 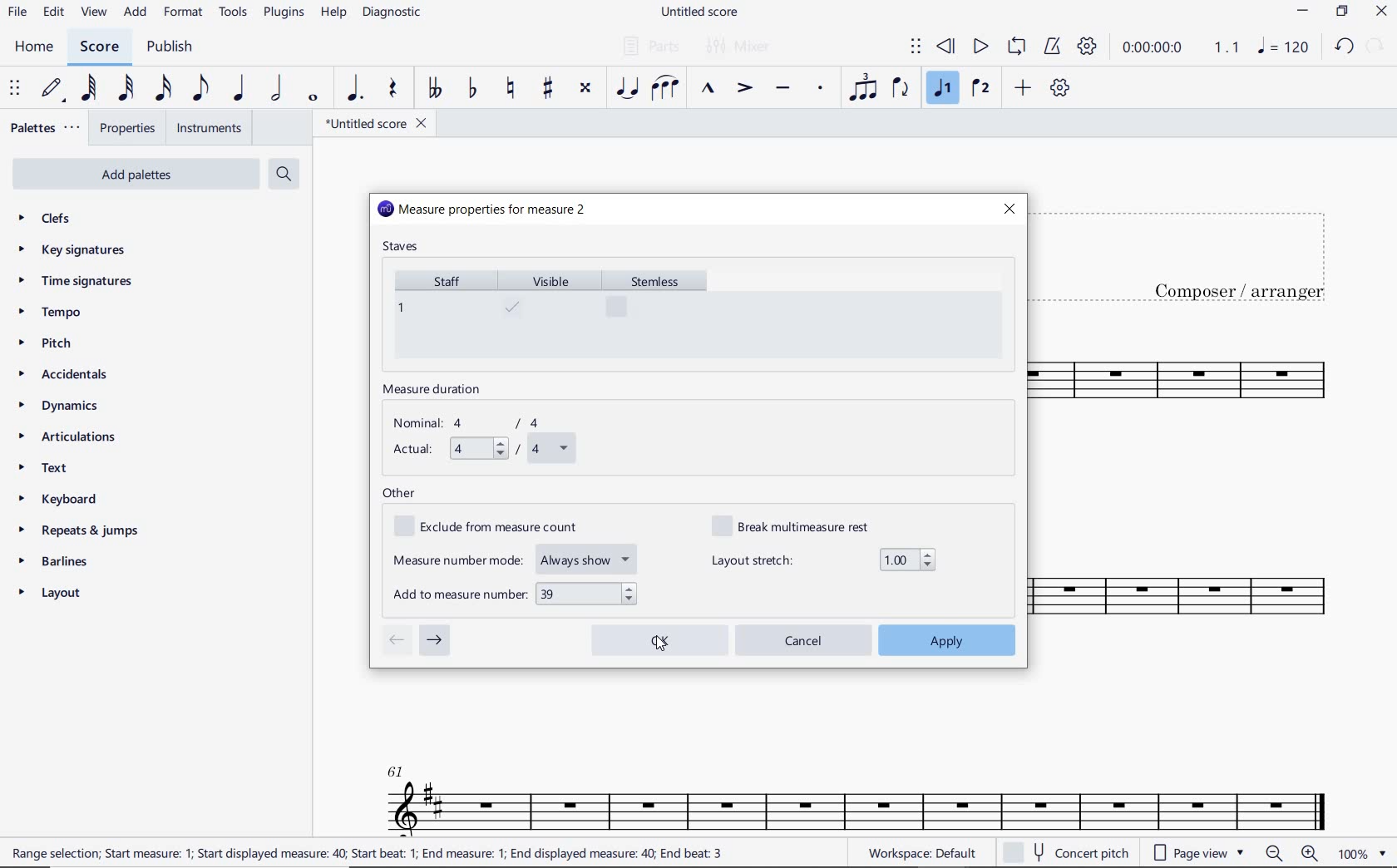 I want to click on cancel, so click(x=806, y=640).